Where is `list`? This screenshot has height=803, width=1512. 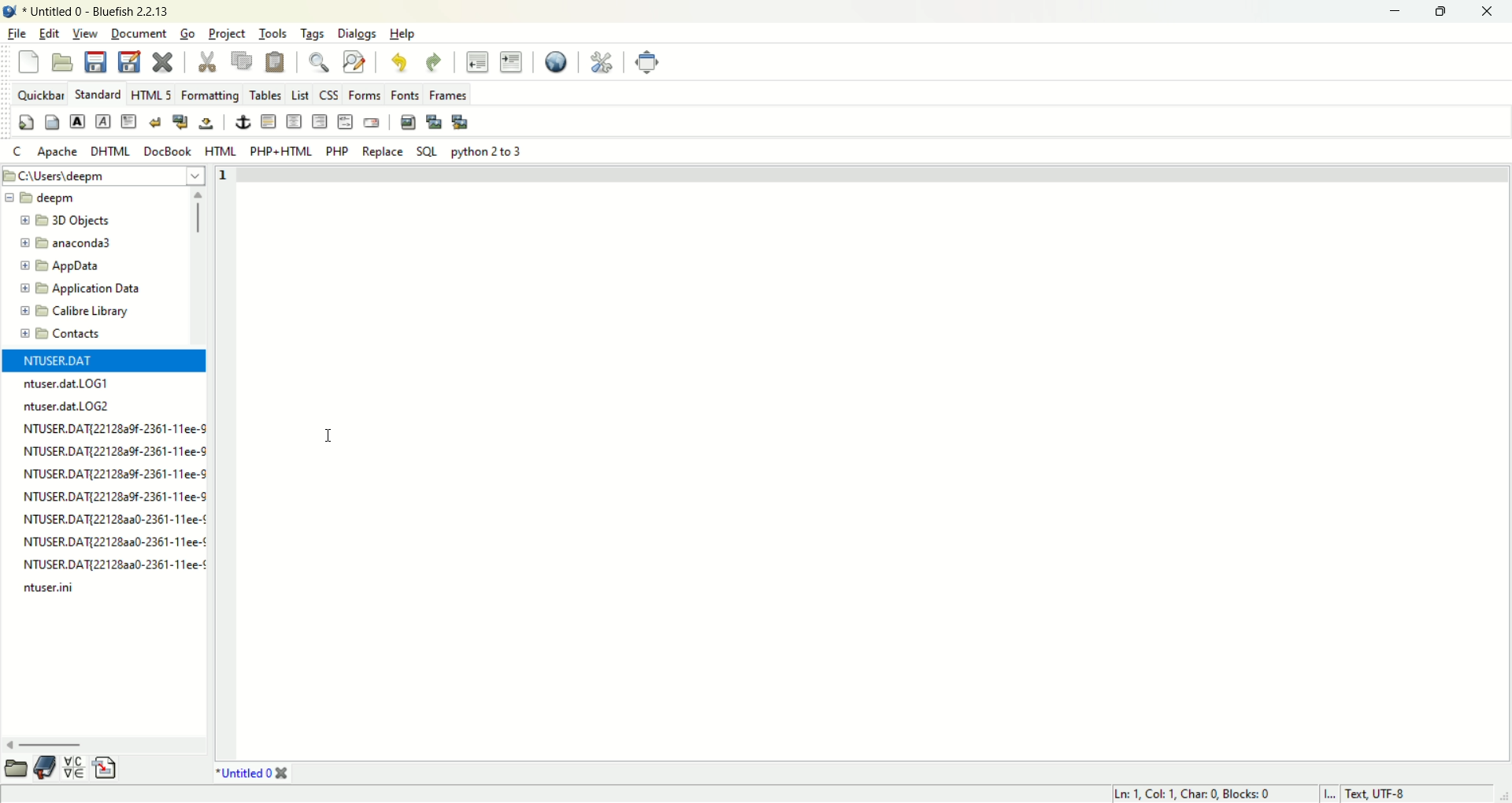
list is located at coordinates (300, 95).